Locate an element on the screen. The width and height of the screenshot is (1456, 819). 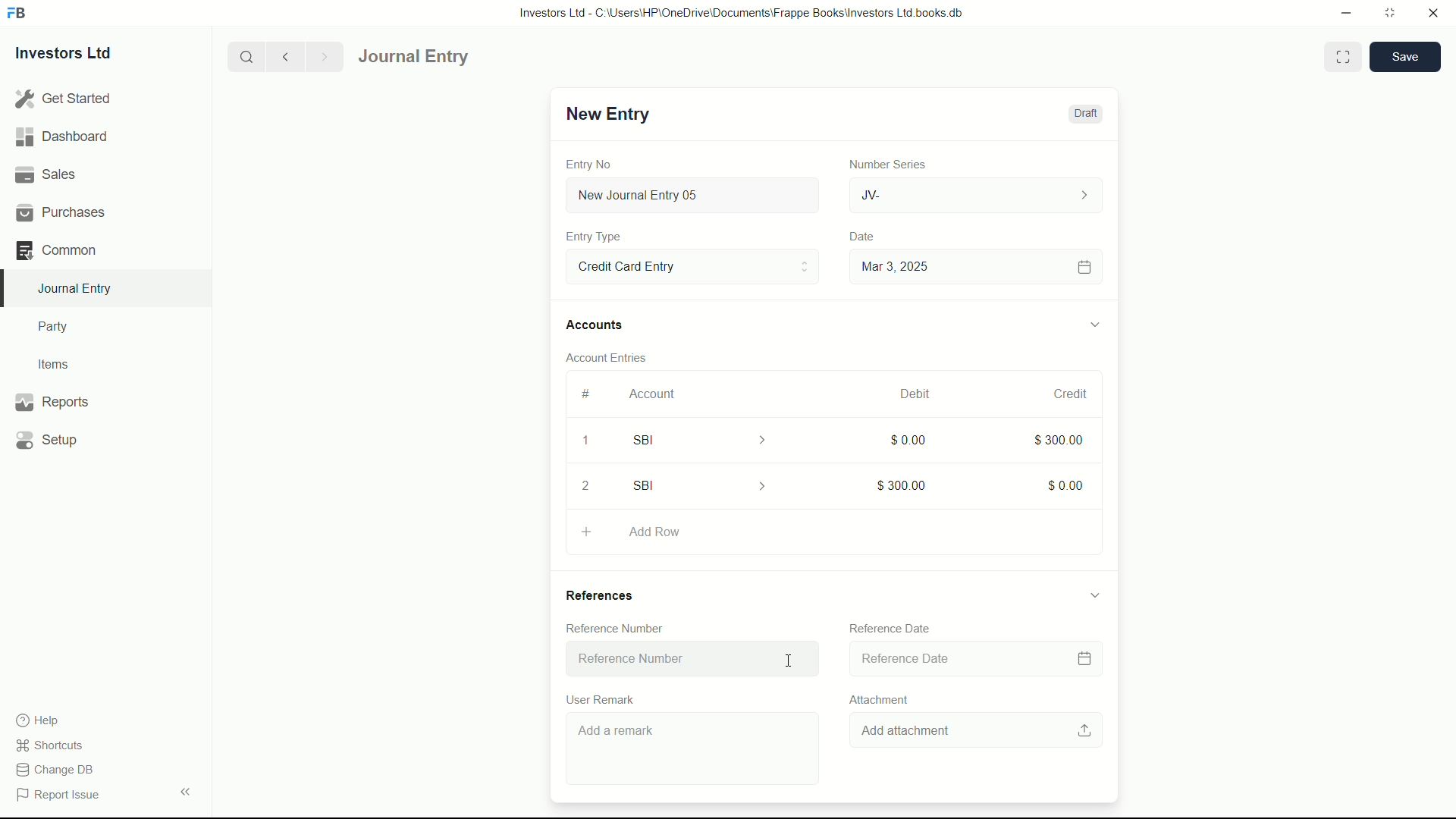
SBI is located at coordinates (710, 439).